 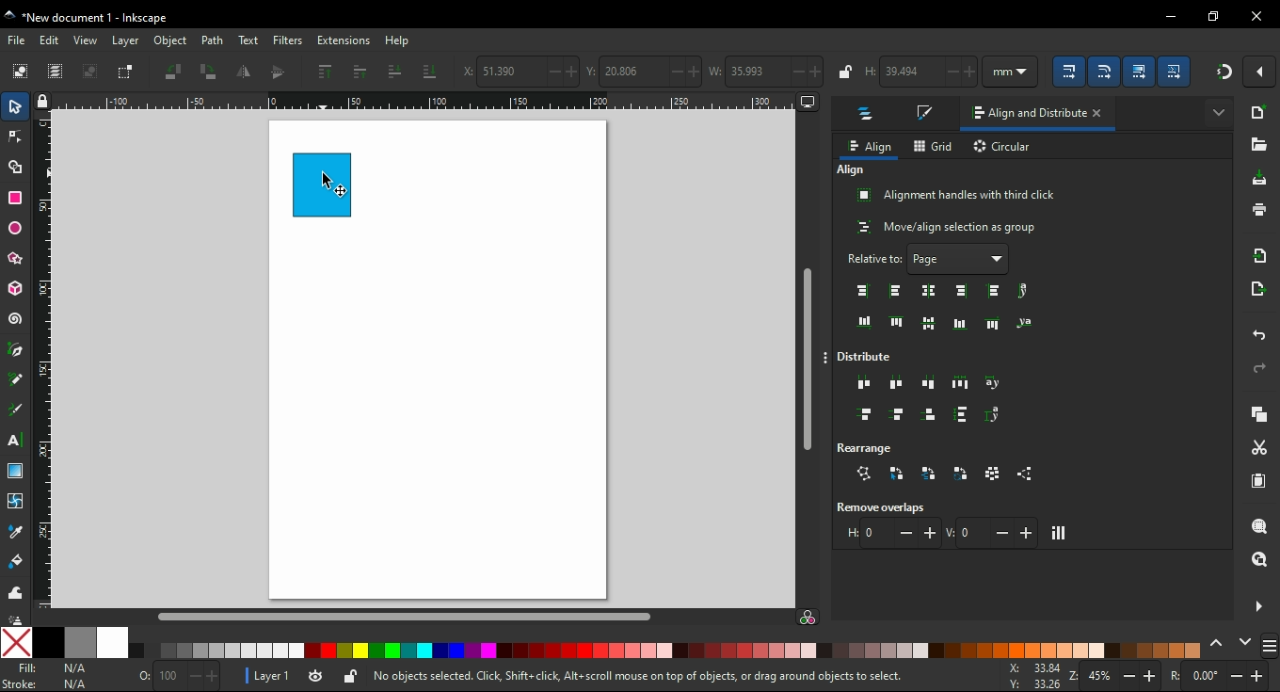 What do you see at coordinates (15, 591) in the screenshot?
I see `tweak tool` at bounding box center [15, 591].